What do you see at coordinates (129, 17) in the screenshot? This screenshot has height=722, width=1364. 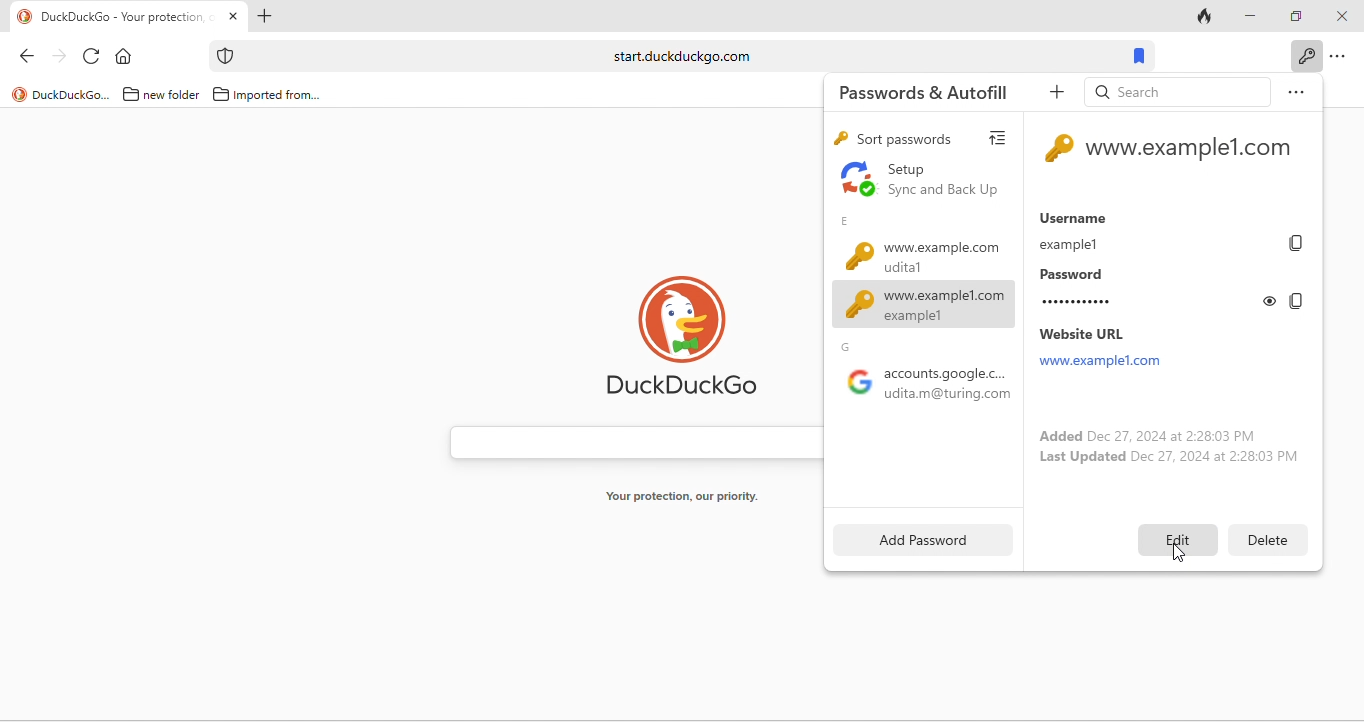 I see `DuckDuckGo - Your protection` at bounding box center [129, 17].